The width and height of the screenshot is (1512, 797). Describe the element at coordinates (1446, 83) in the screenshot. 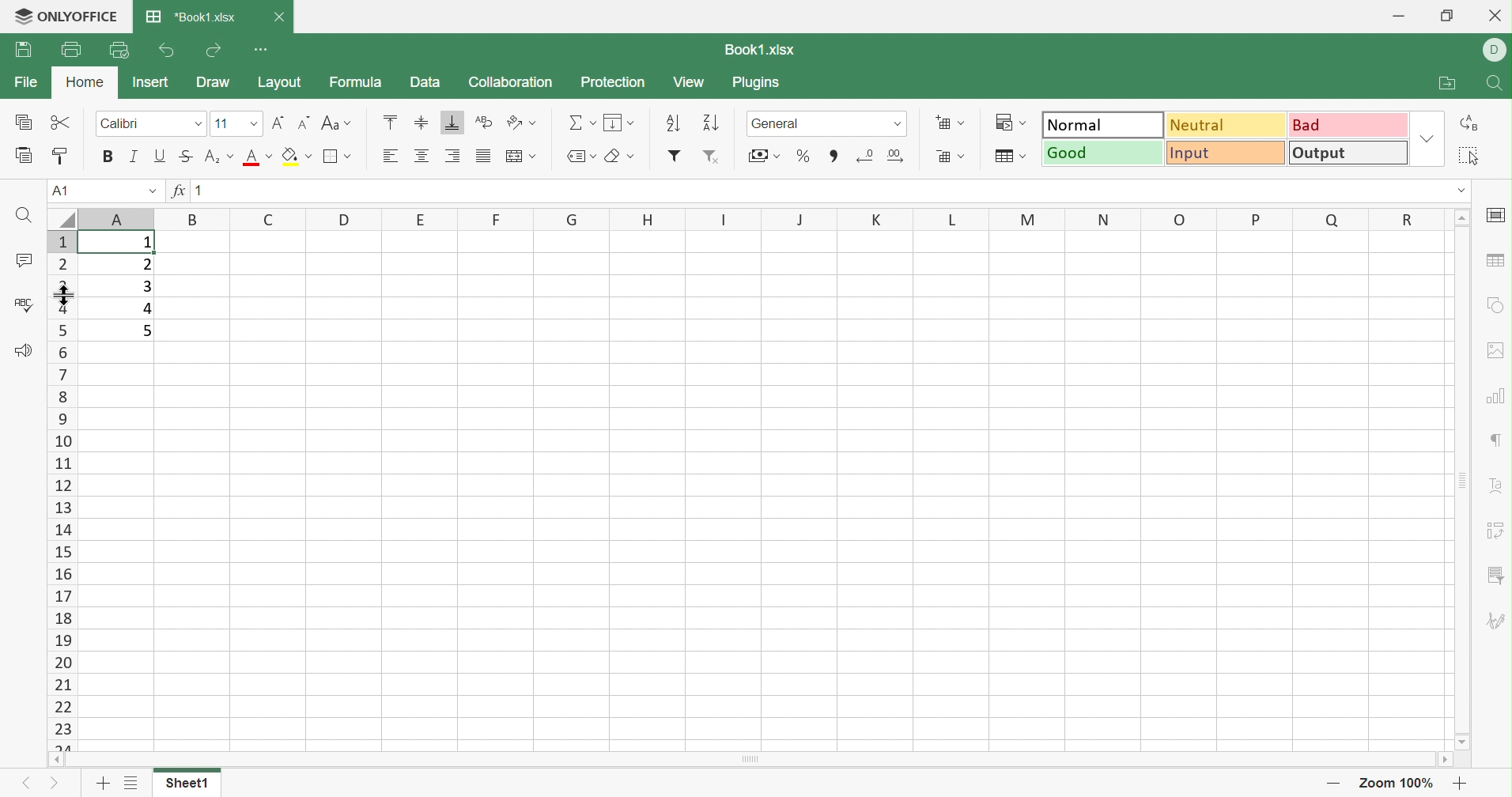

I see `Open file location` at that location.